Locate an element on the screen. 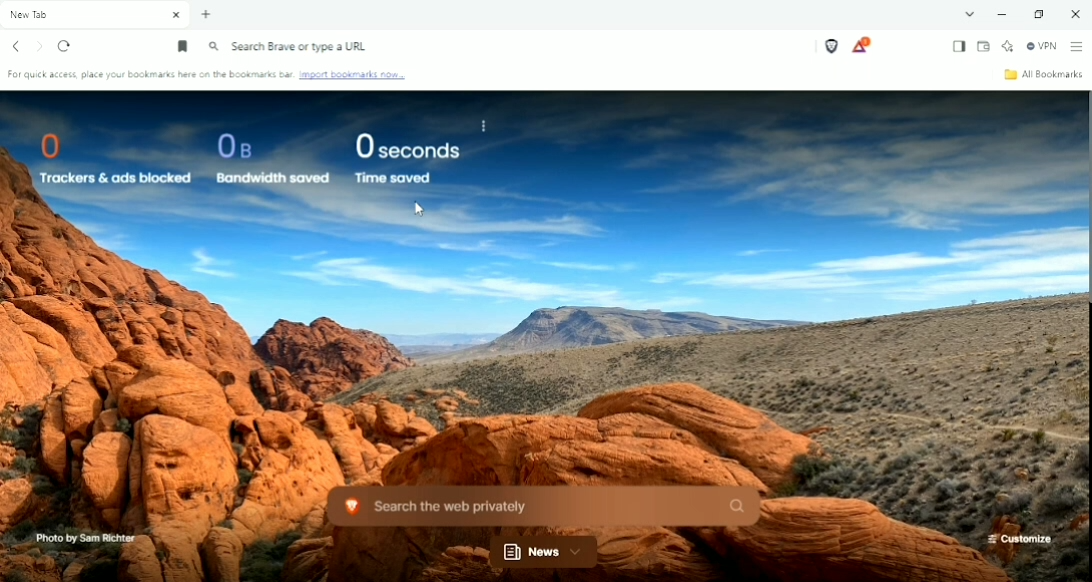  Search Brave or type a URL is located at coordinates (290, 47).